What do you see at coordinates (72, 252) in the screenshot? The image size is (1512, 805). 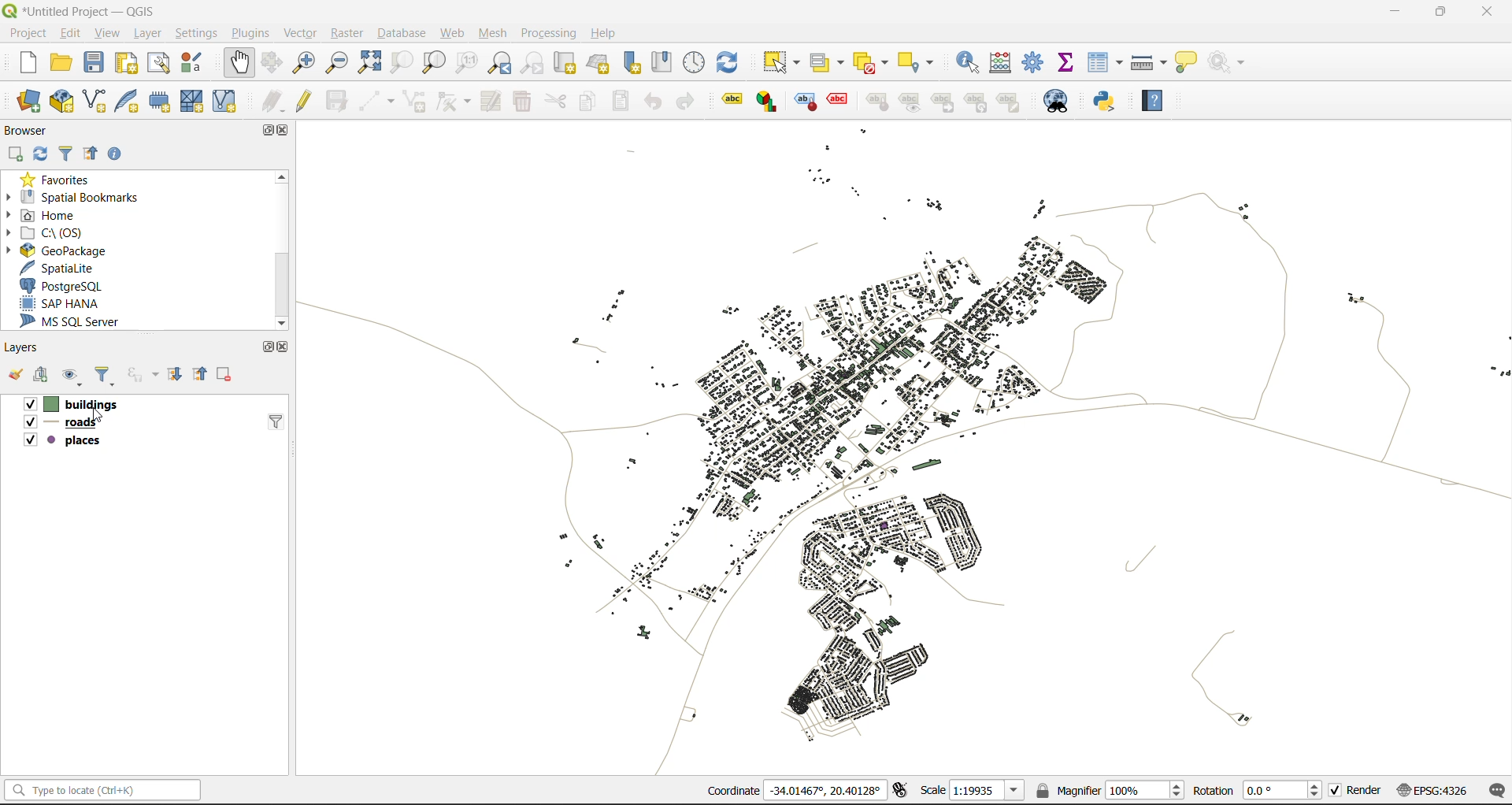 I see `geopackage` at bounding box center [72, 252].